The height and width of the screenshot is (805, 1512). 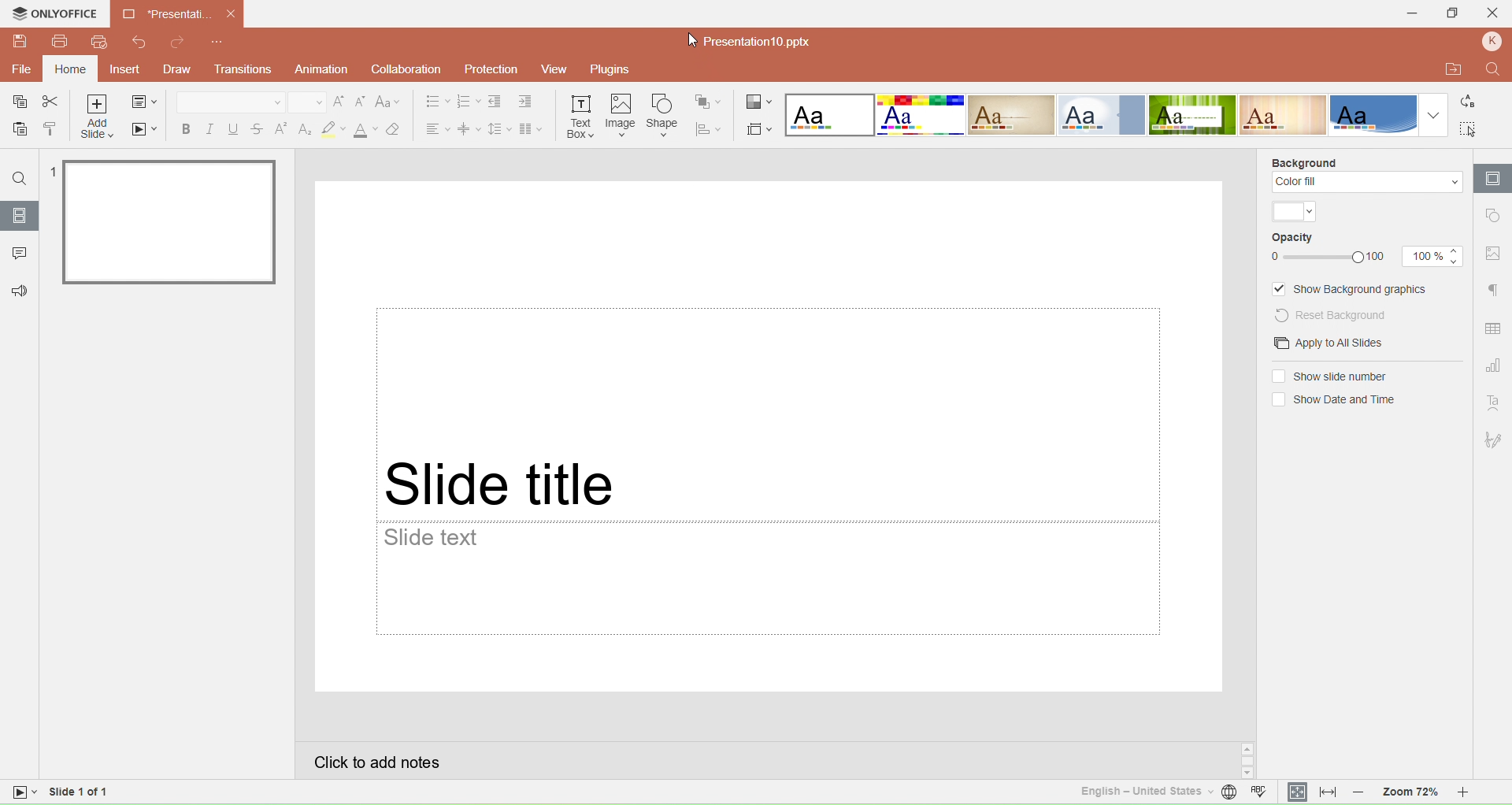 What do you see at coordinates (1410, 793) in the screenshot?
I see `Zoom 72%` at bounding box center [1410, 793].